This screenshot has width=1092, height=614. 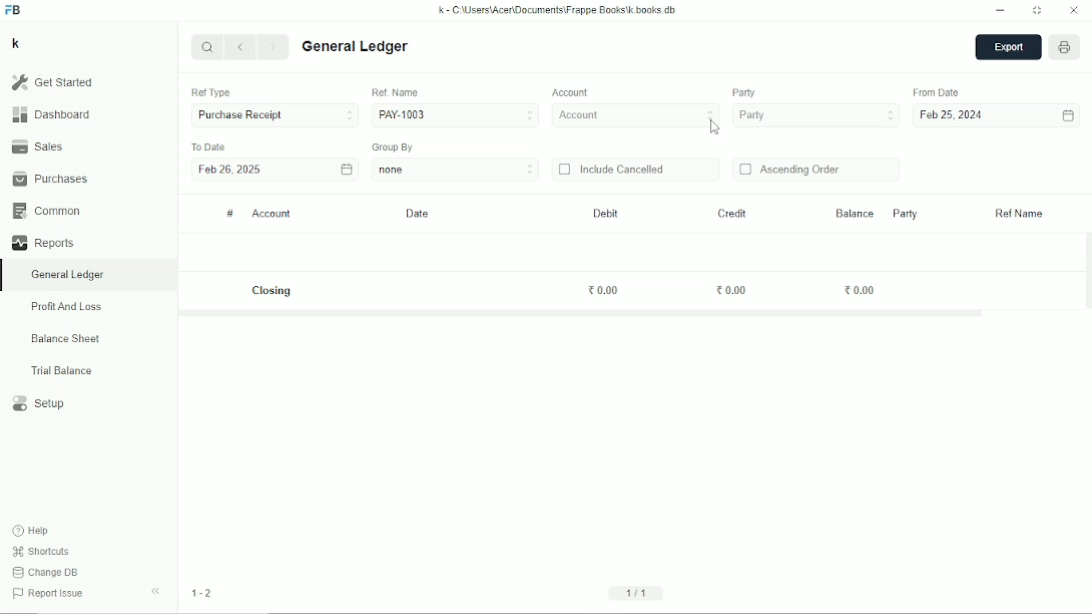 I want to click on Export, so click(x=1008, y=48).